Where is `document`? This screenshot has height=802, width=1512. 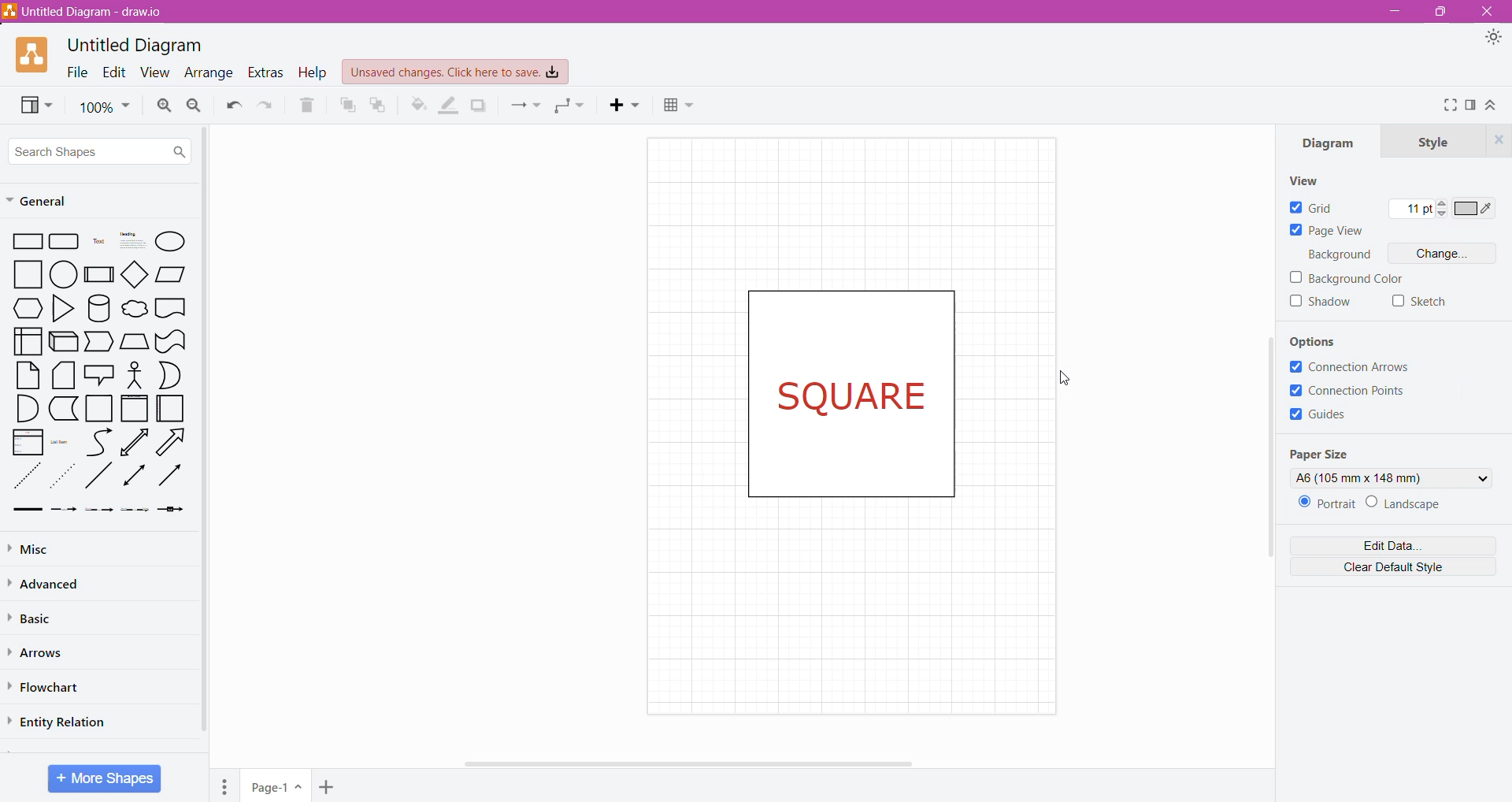 document is located at coordinates (171, 307).